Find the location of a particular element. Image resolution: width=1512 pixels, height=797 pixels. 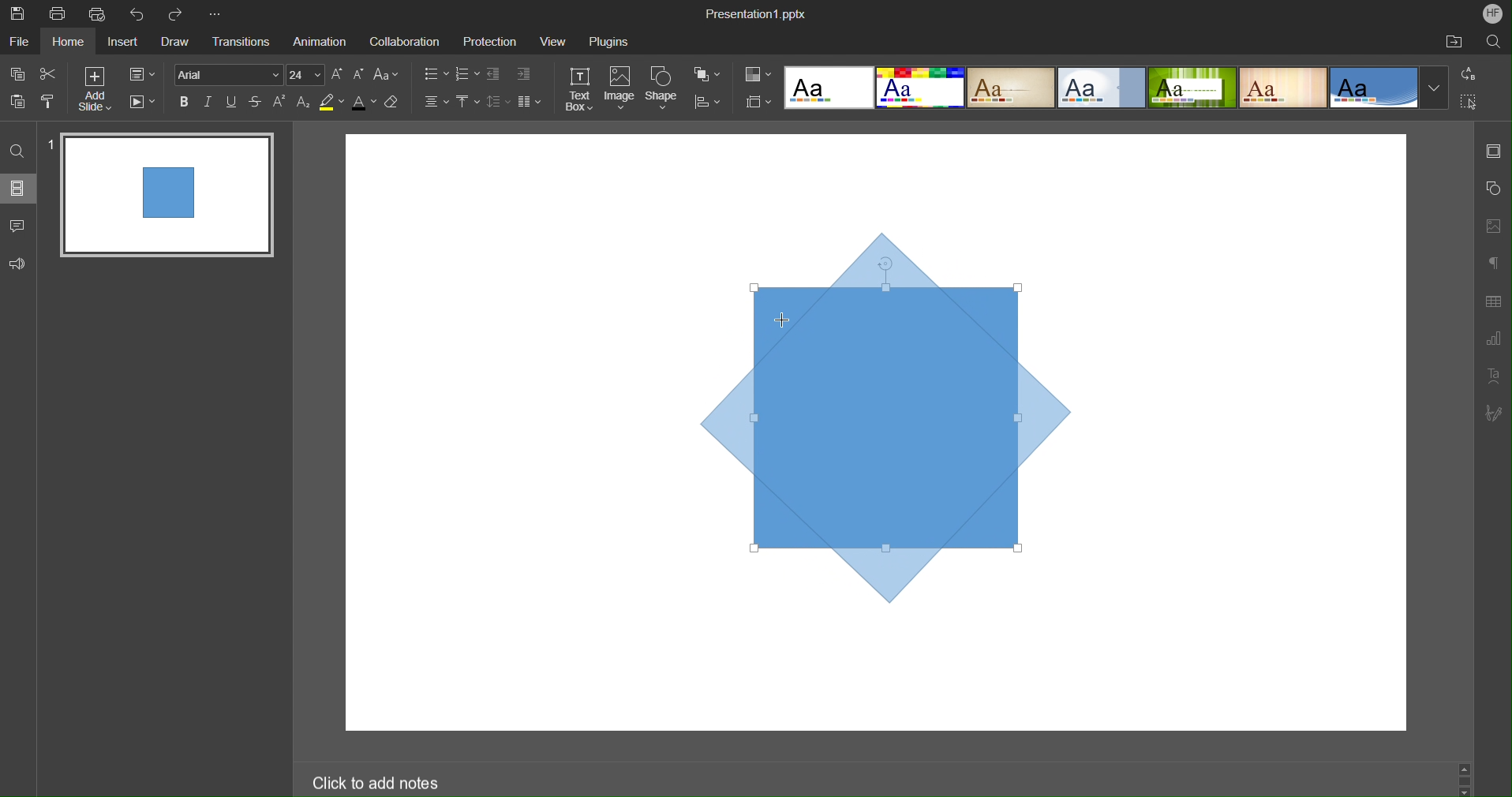

Font is located at coordinates (228, 75).